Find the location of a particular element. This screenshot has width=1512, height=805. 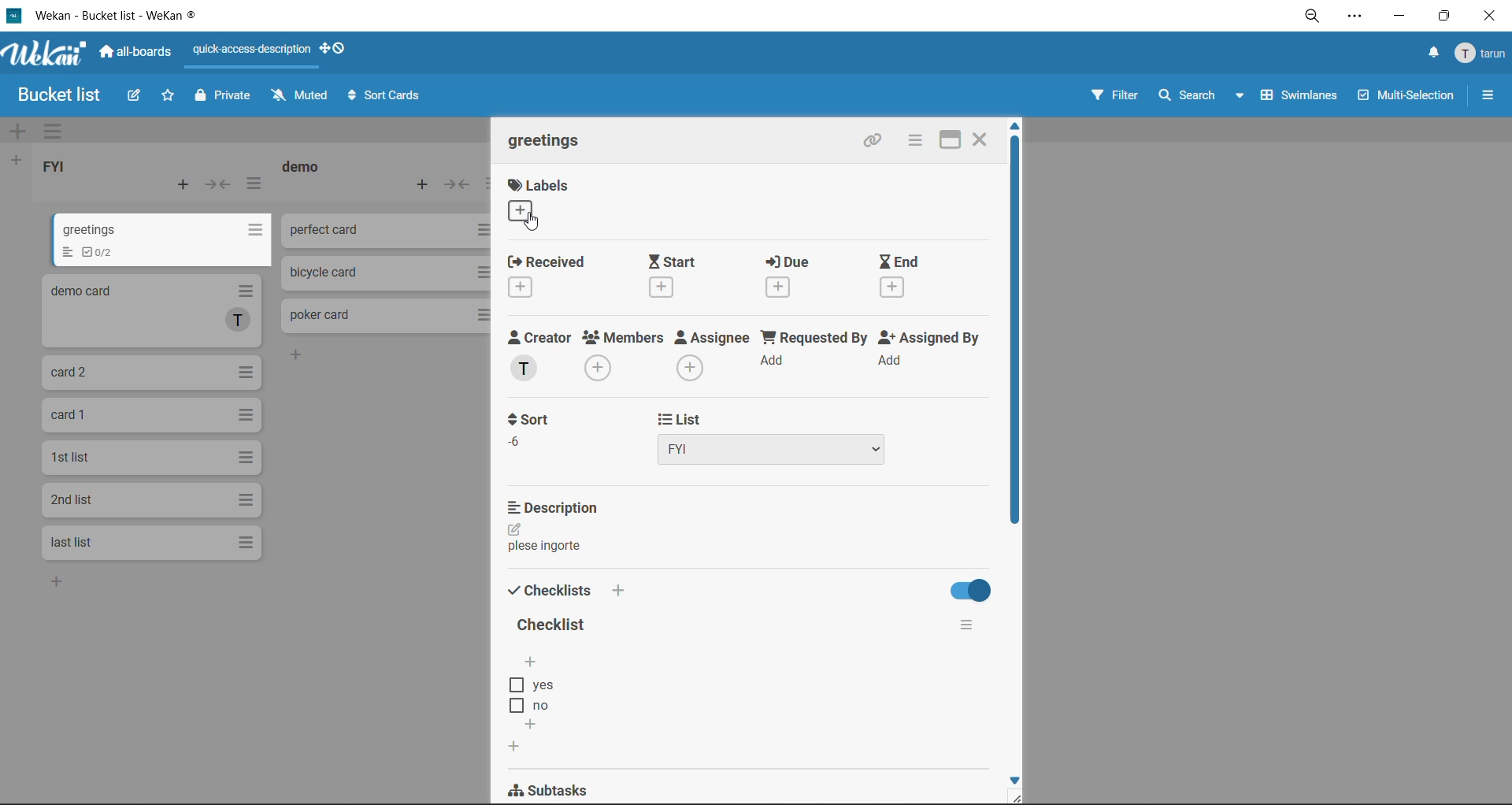

app logo is located at coordinates (46, 55).